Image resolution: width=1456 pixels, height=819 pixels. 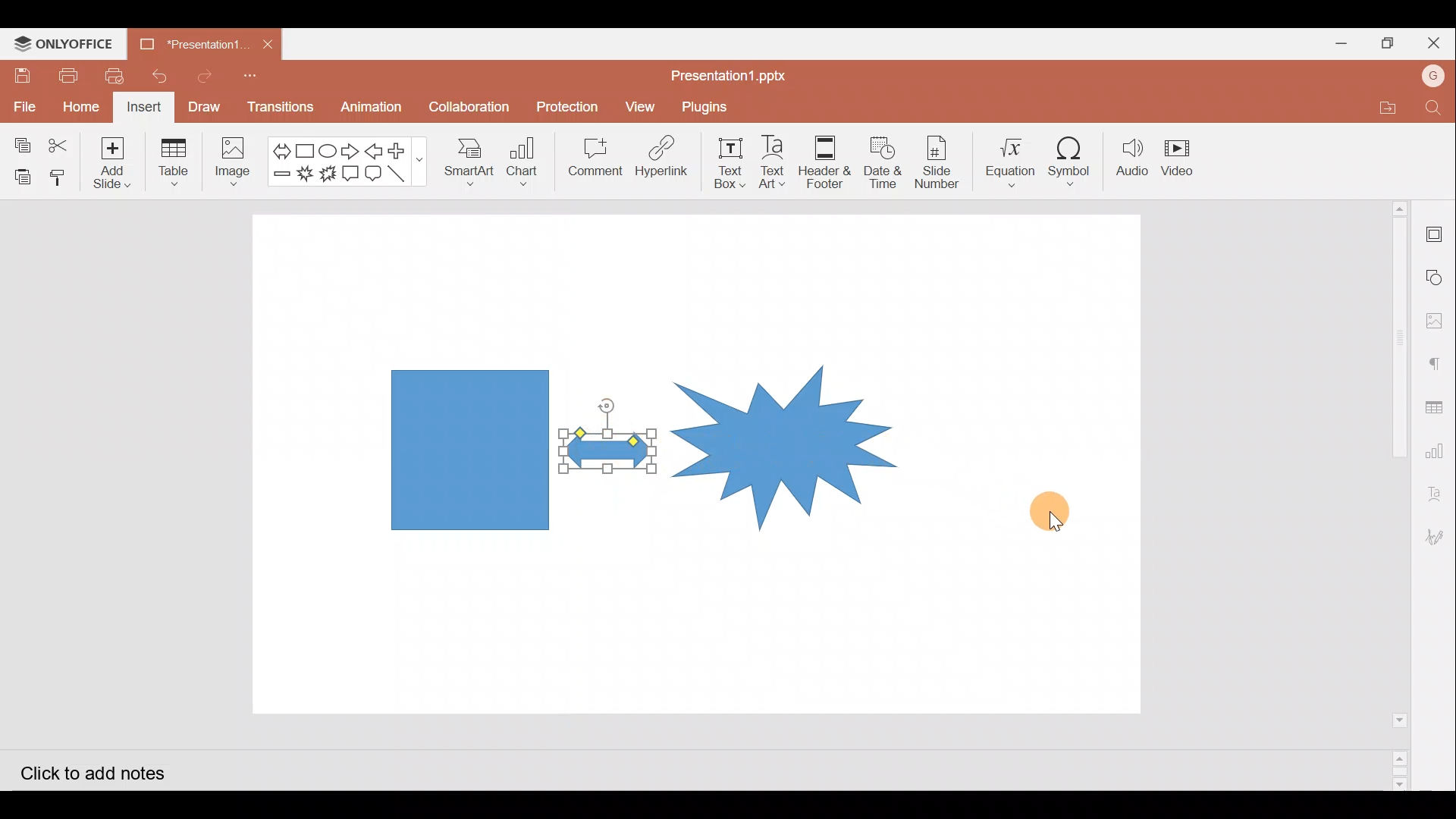 What do you see at coordinates (1051, 513) in the screenshot?
I see `Cursor` at bounding box center [1051, 513].